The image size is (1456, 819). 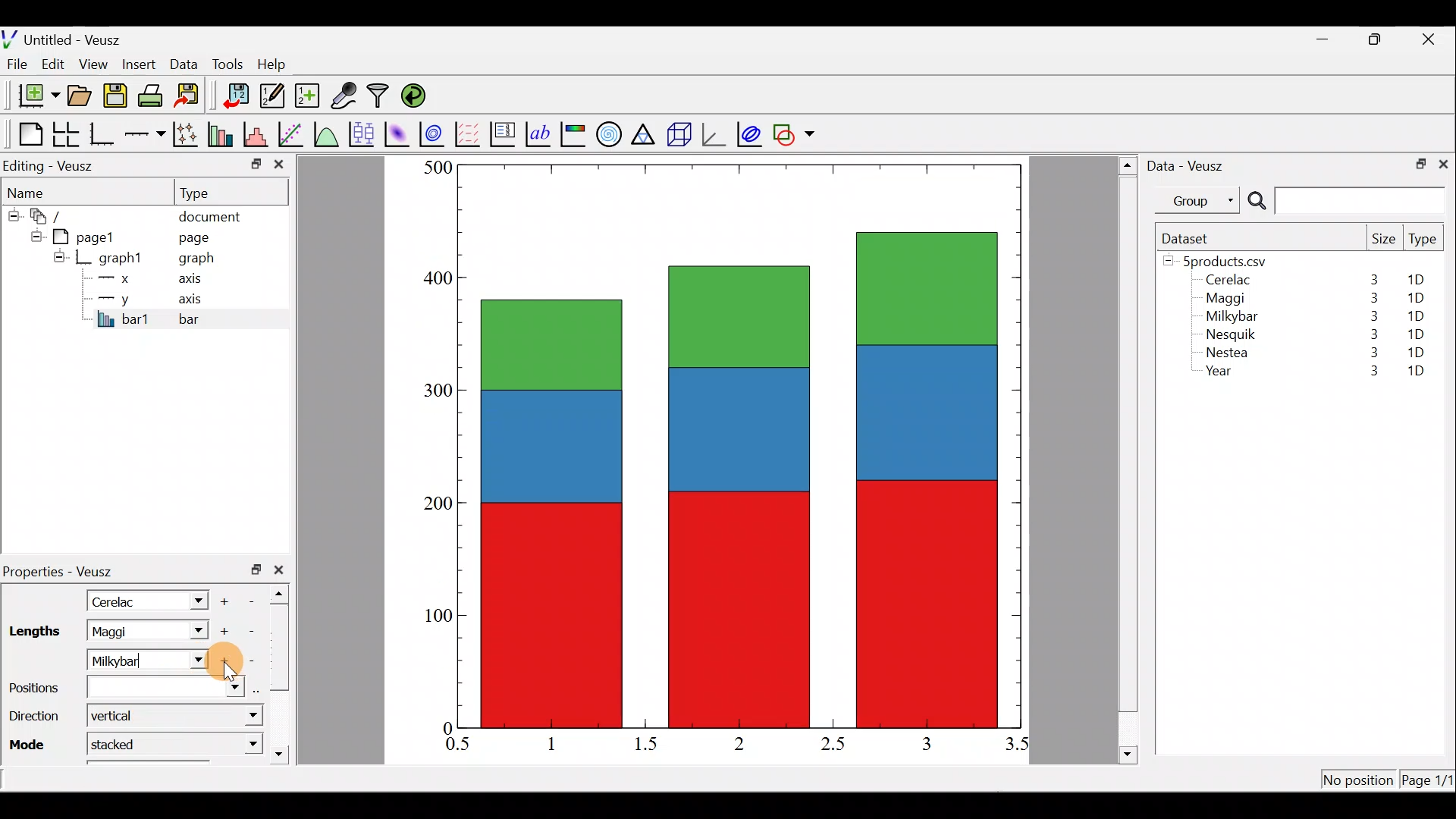 I want to click on Maggi, so click(x=127, y=631).